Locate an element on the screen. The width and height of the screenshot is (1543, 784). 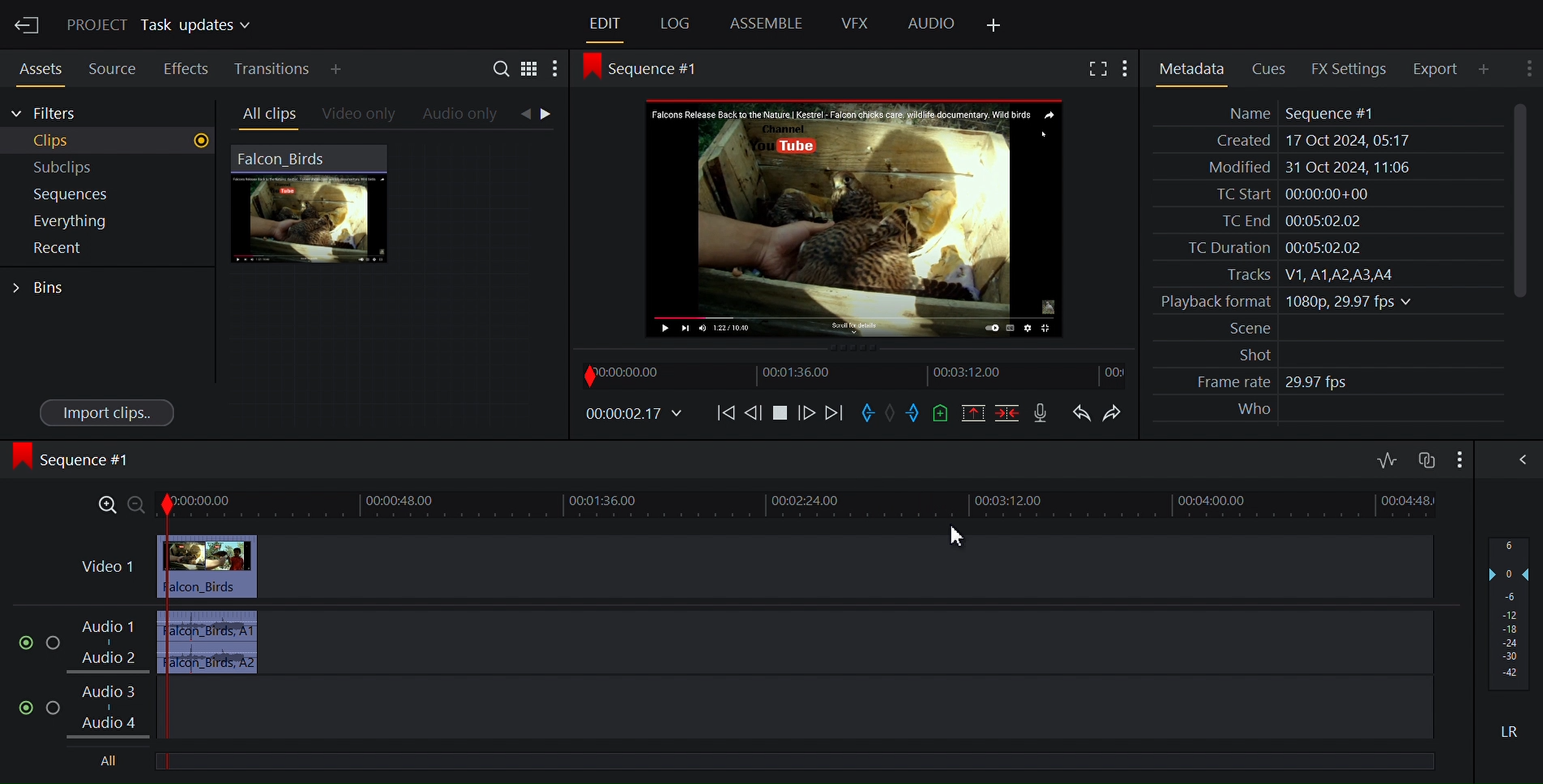
All clips is located at coordinates (265, 114).